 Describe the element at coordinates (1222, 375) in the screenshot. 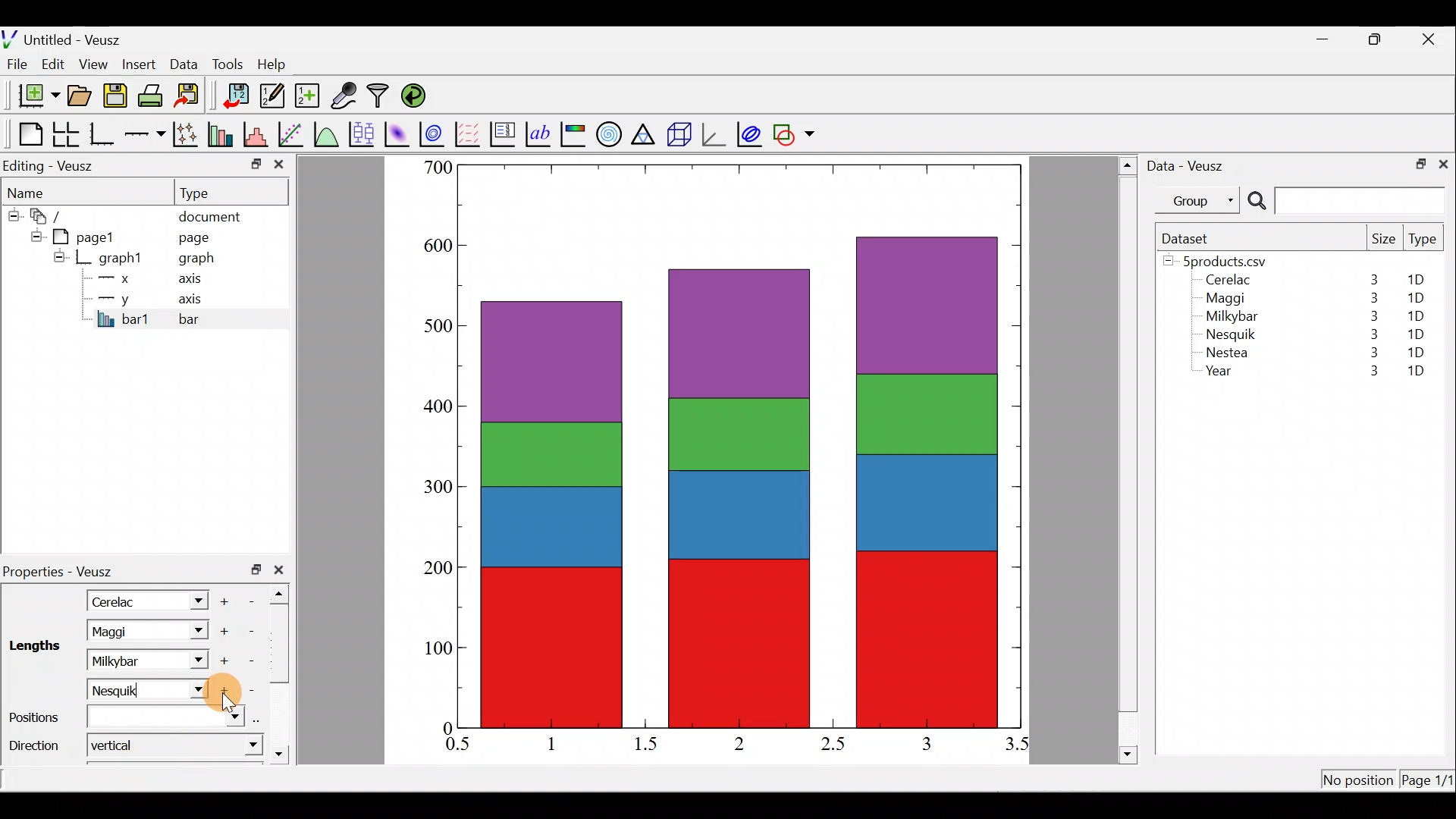

I see `Year` at that location.